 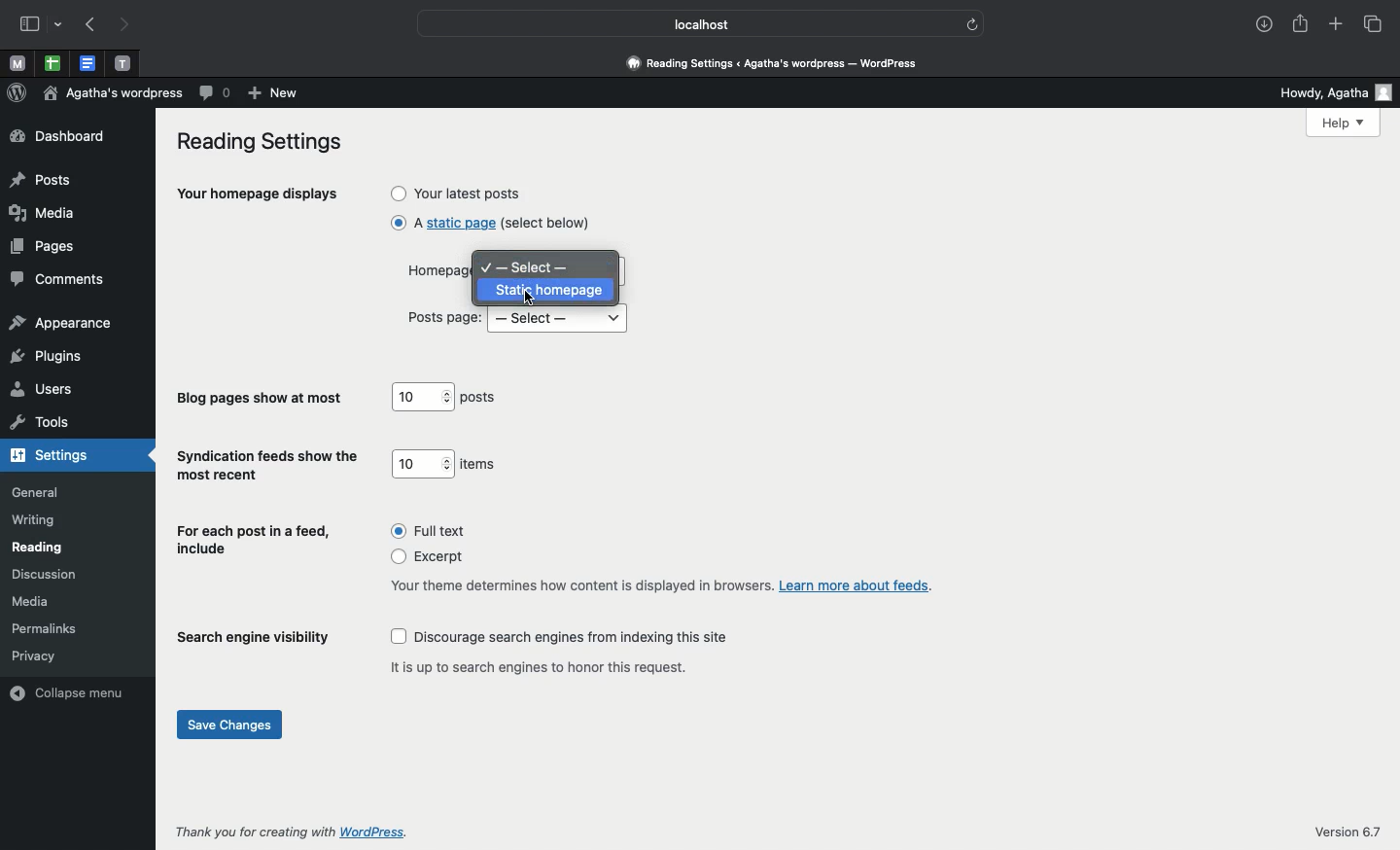 I want to click on A static page, so click(x=492, y=223).